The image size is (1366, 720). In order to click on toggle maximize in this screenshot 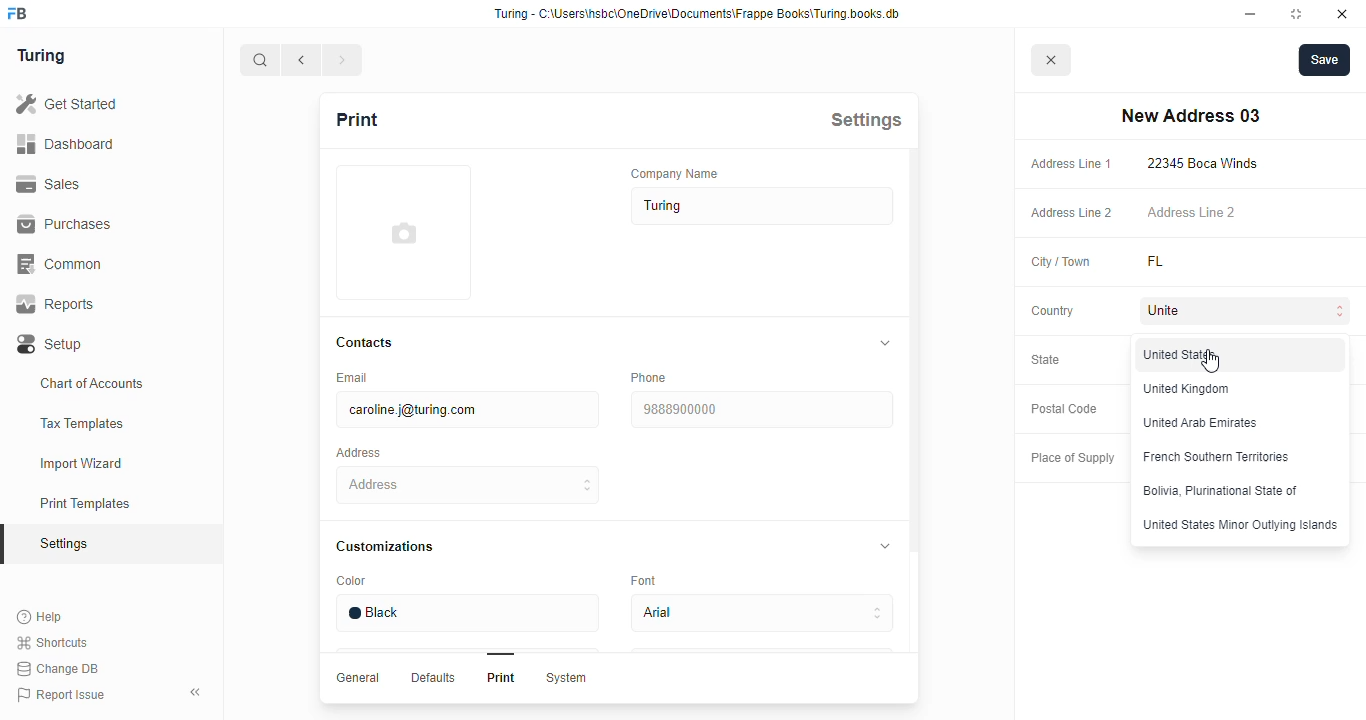, I will do `click(1295, 13)`.